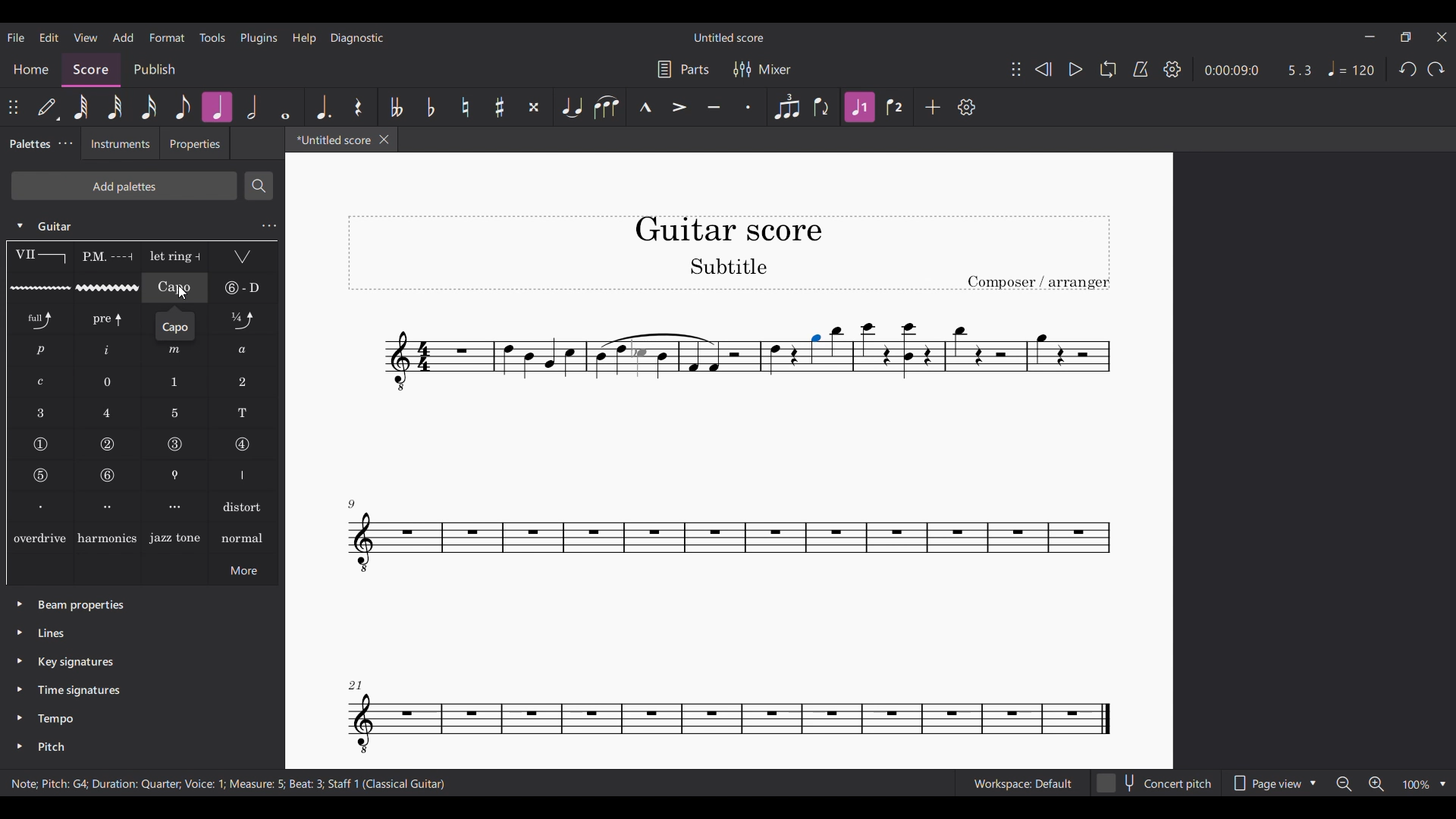 The height and width of the screenshot is (819, 1456). I want to click on Change position, so click(1016, 69).